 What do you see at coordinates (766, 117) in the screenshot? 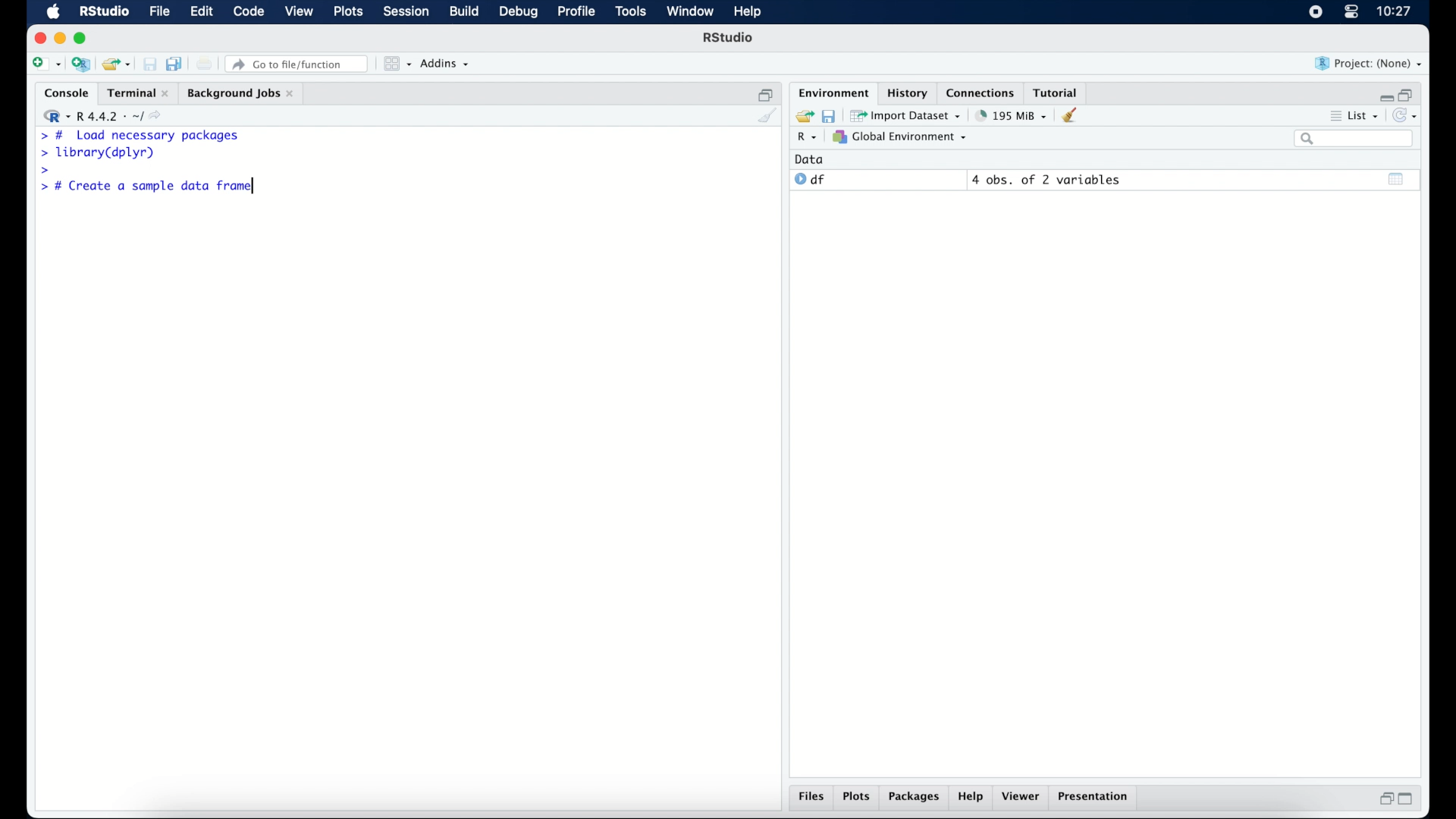
I see `clear console` at bounding box center [766, 117].